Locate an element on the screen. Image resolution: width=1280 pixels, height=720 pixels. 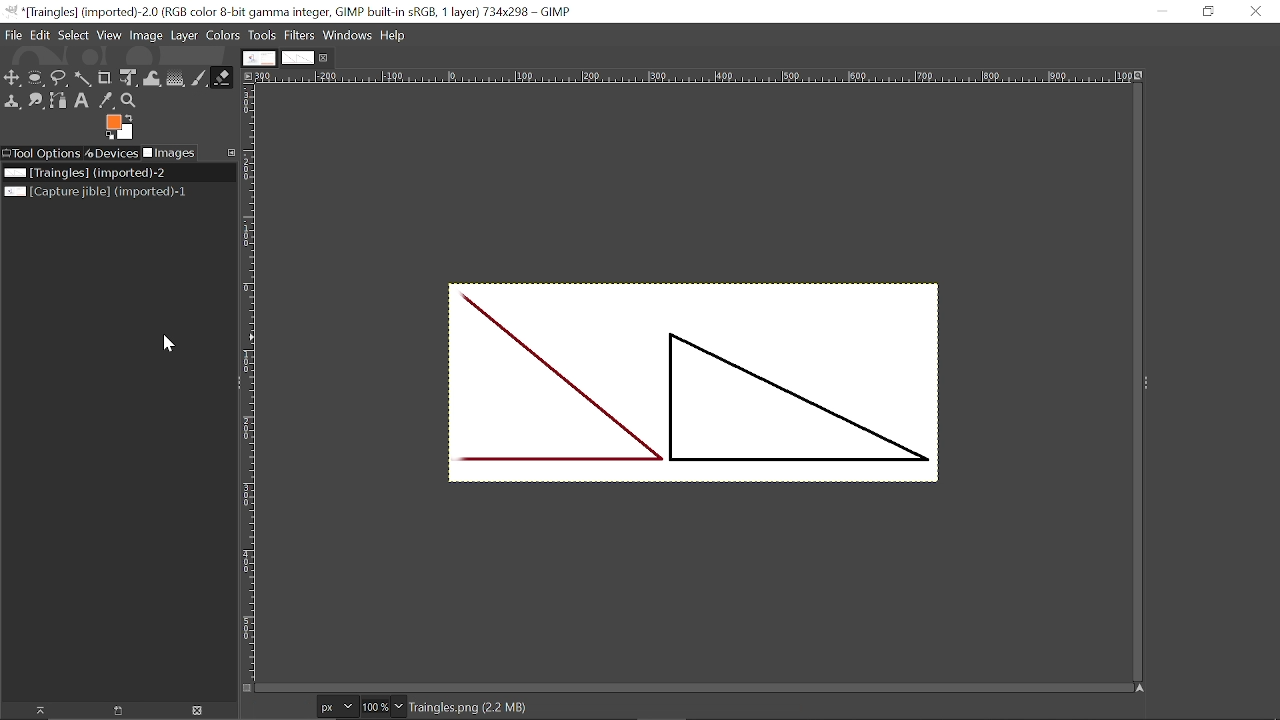
Gradient tool is located at coordinates (176, 78).